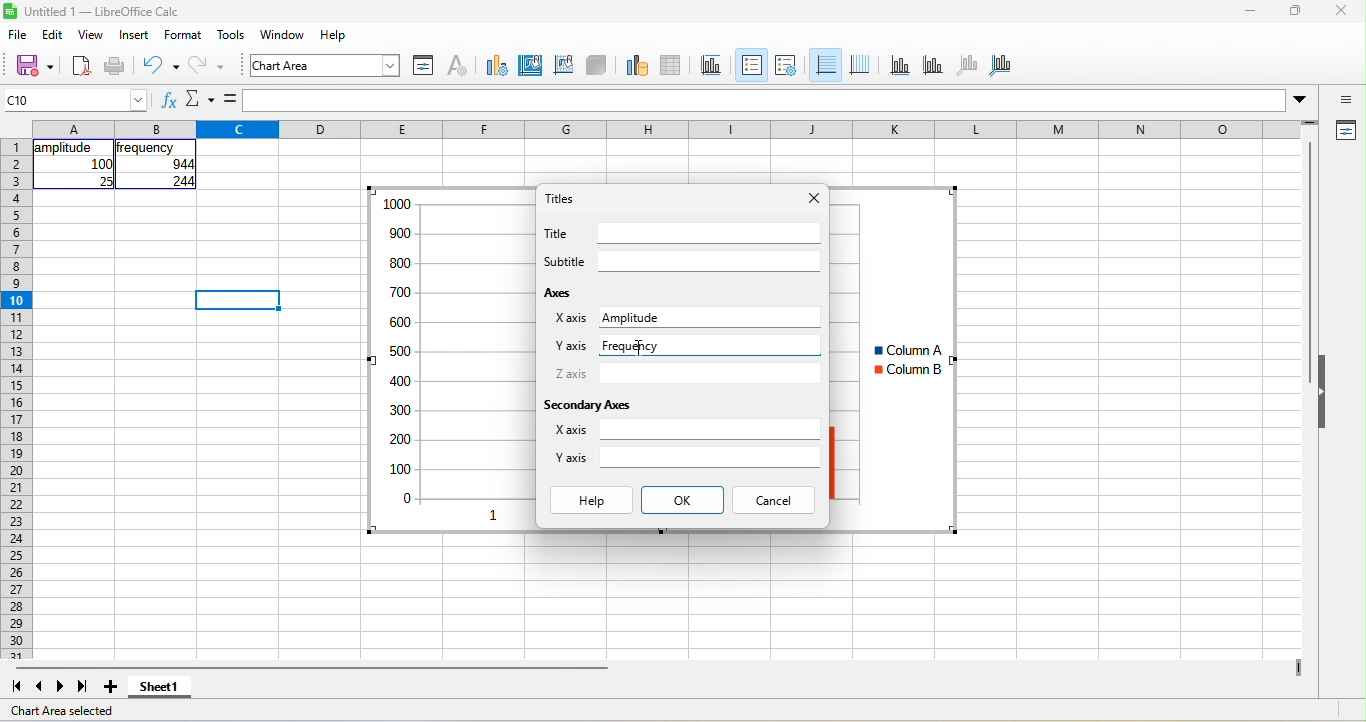  I want to click on first sheet, so click(16, 687).